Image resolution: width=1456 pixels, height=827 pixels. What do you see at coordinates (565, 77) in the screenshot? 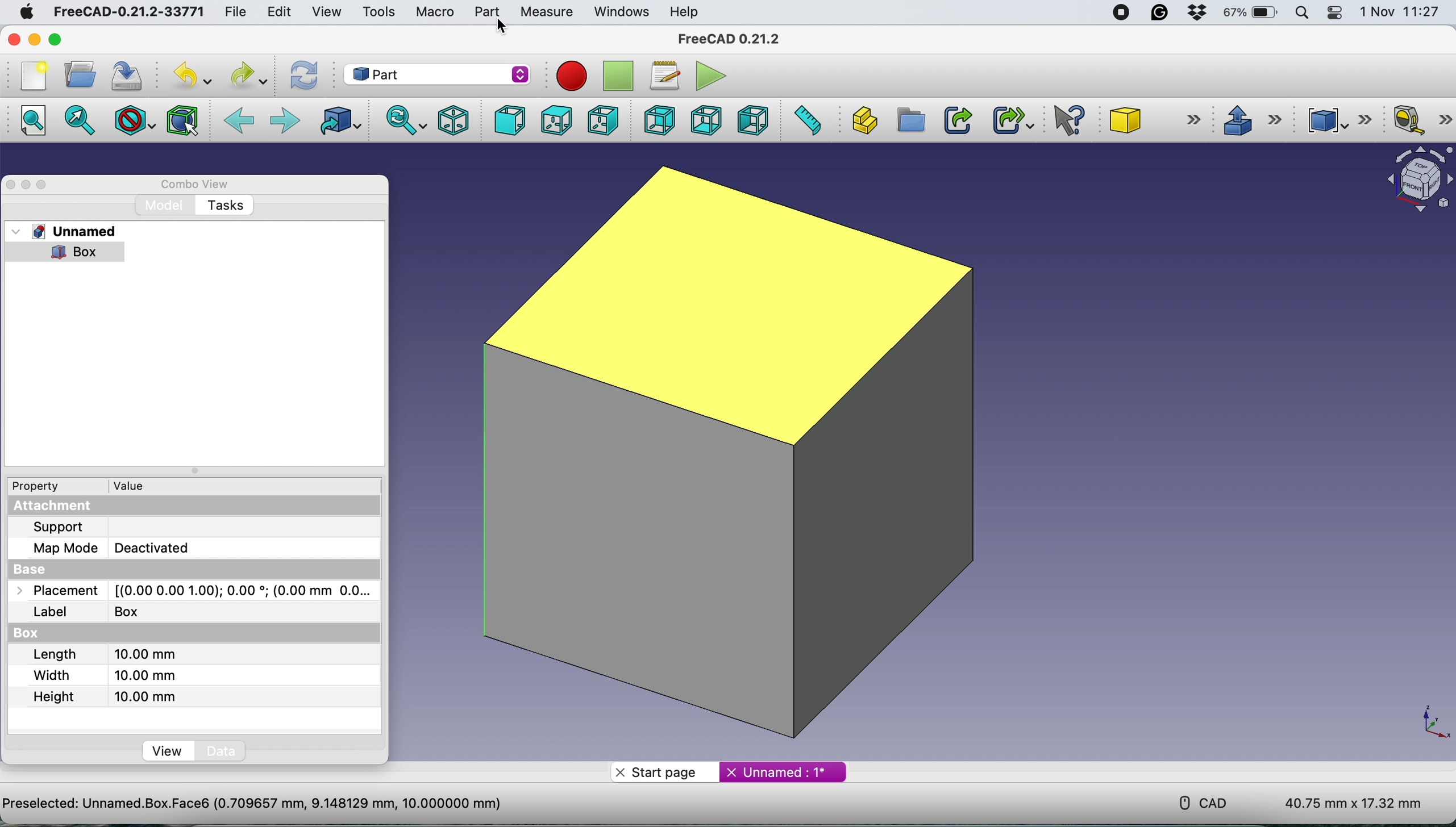
I see `record macros` at bounding box center [565, 77].